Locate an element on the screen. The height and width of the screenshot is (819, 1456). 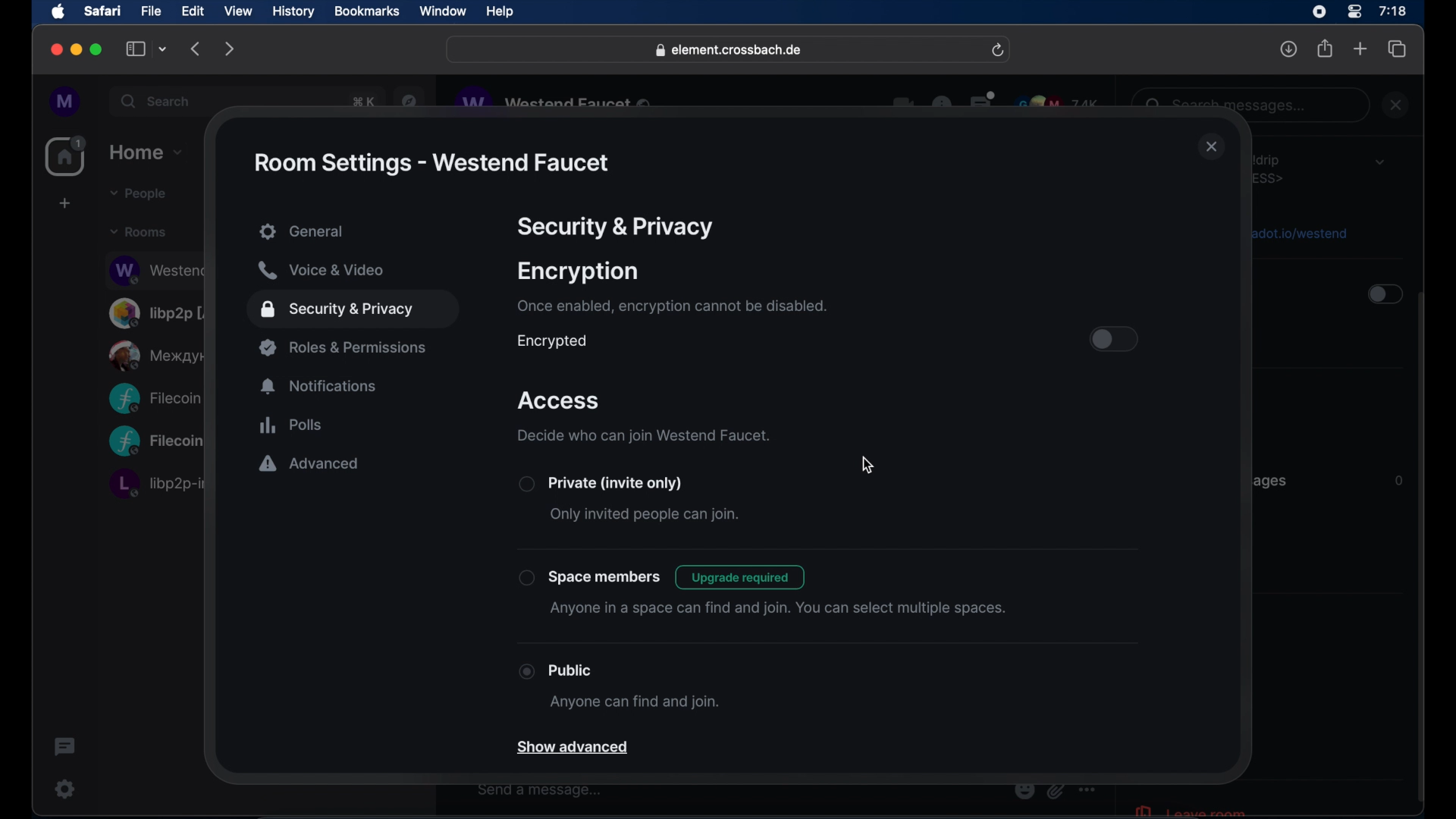
rom settings - westend faucet is located at coordinates (430, 163).